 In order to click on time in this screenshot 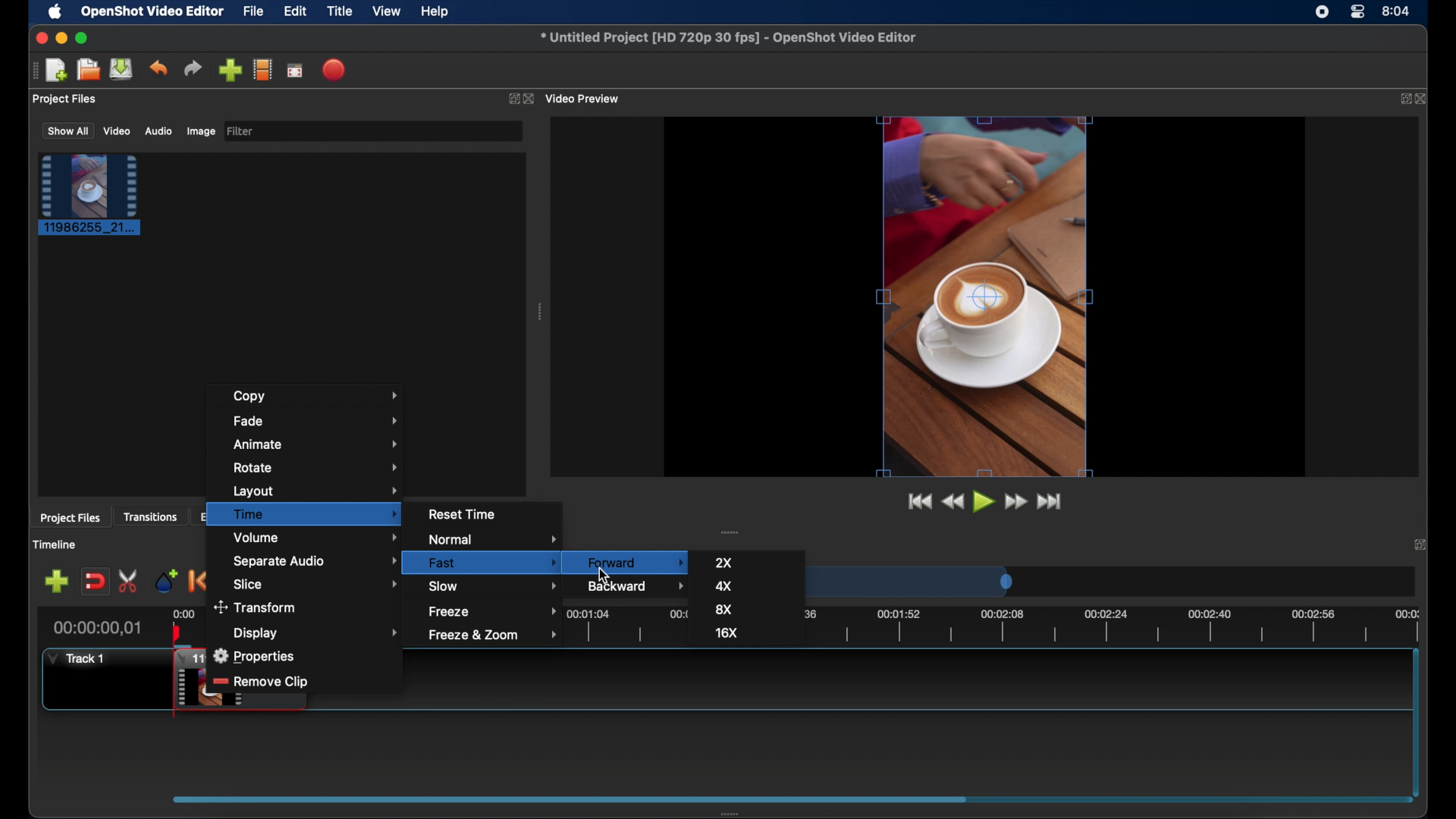, I will do `click(1397, 10)`.